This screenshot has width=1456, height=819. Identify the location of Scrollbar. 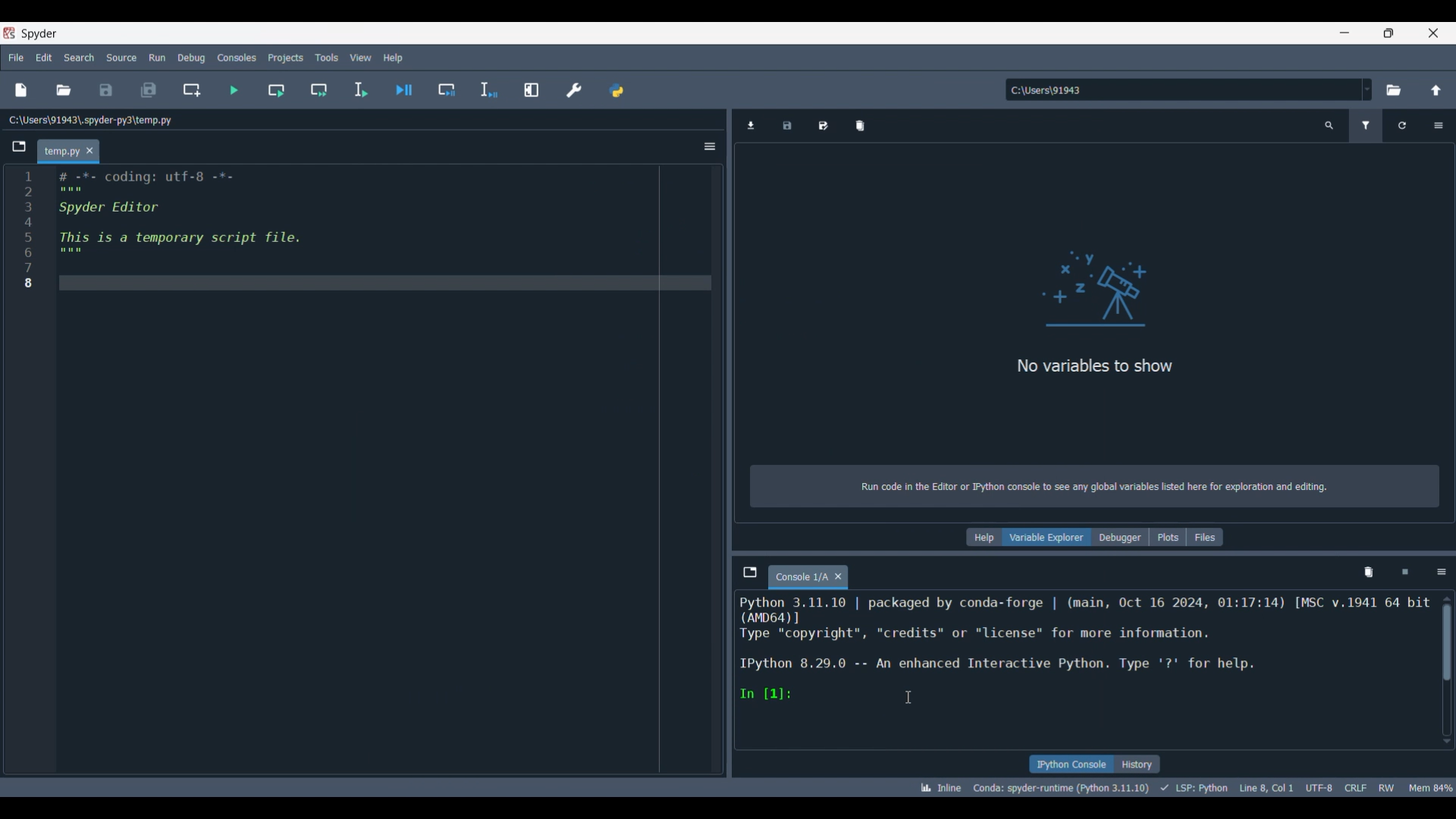
(1445, 645).